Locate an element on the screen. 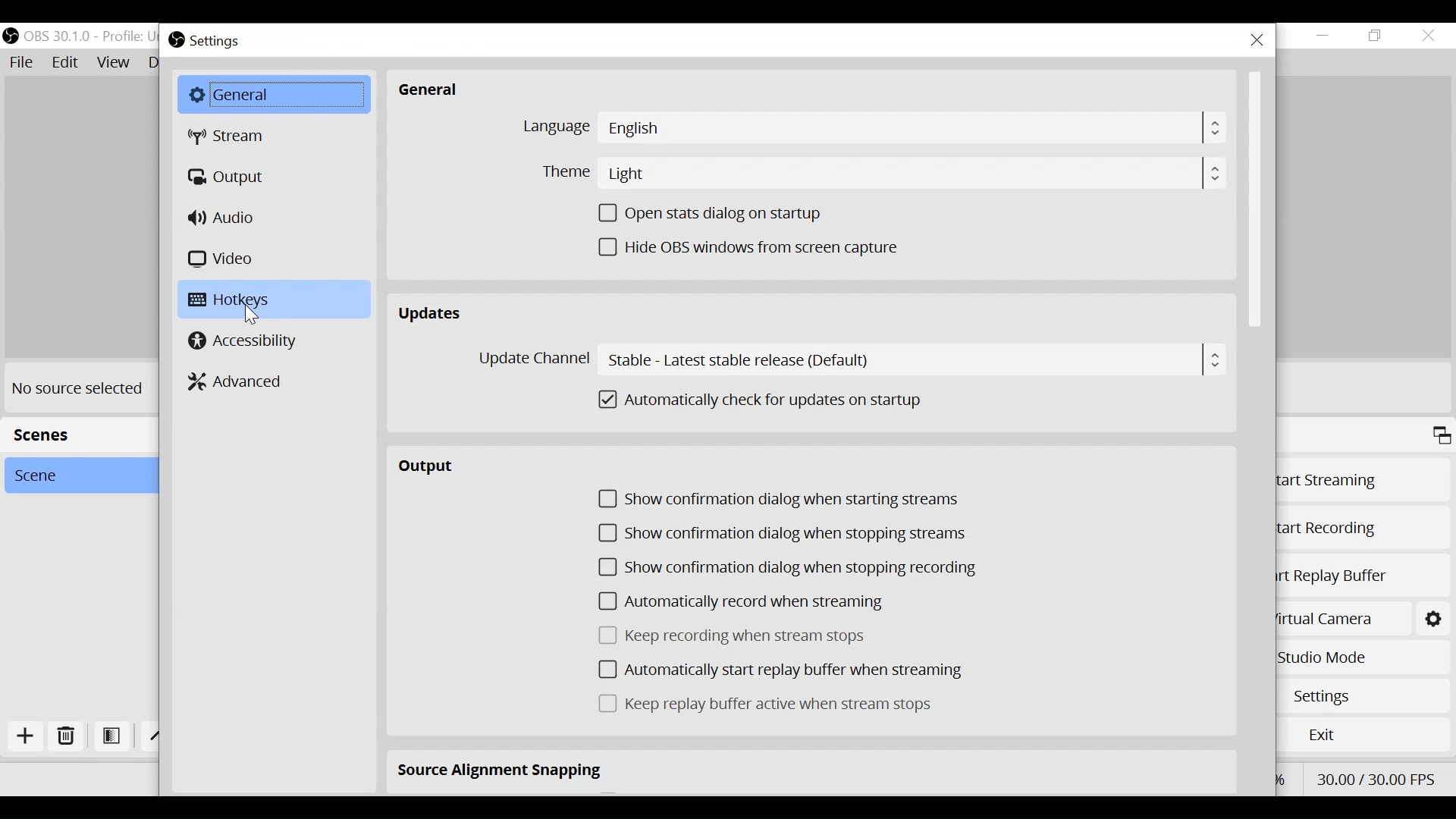  Hotkeys is located at coordinates (276, 298).